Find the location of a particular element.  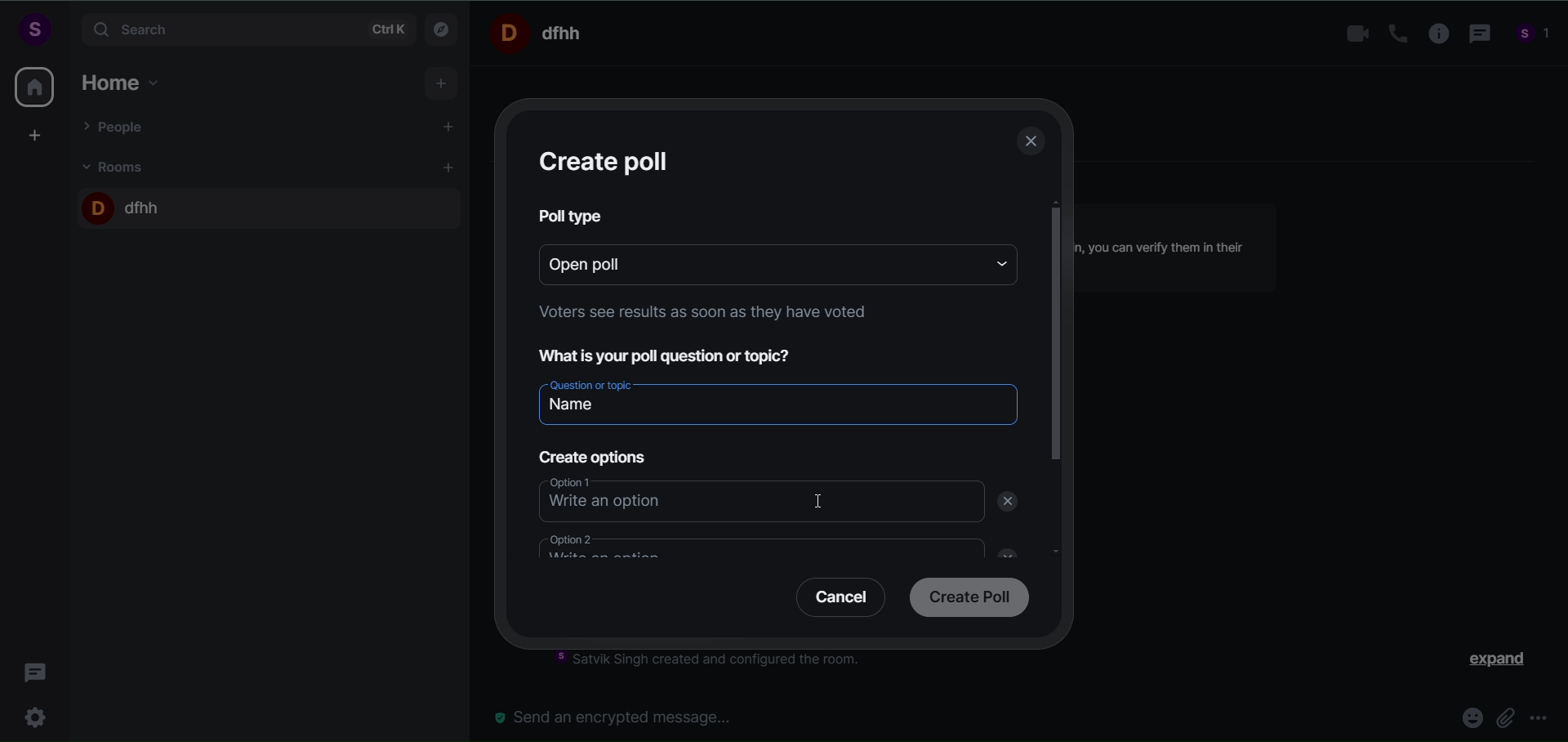

poll type is located at coordinates (573, 216).